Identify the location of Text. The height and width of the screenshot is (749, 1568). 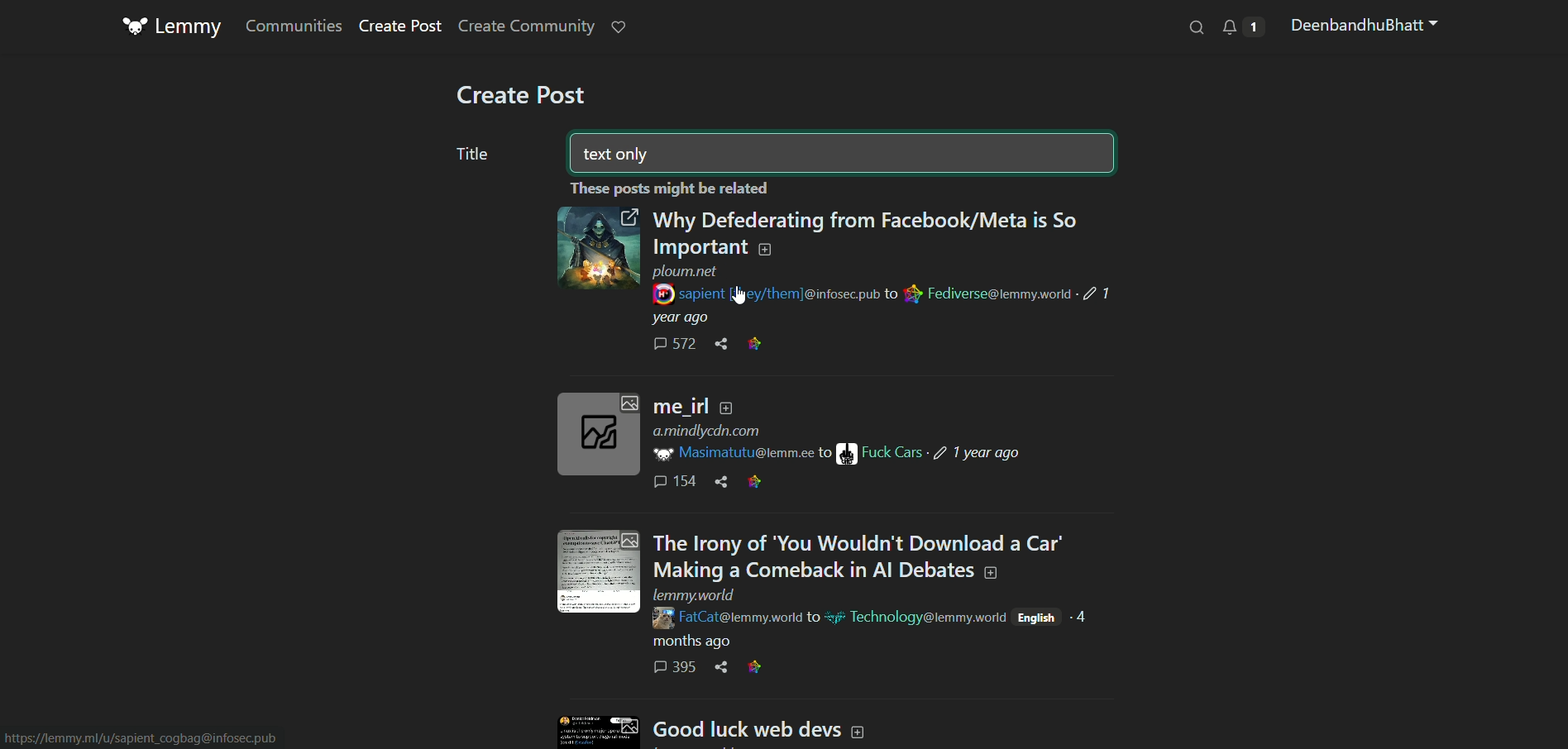
(746, 729).